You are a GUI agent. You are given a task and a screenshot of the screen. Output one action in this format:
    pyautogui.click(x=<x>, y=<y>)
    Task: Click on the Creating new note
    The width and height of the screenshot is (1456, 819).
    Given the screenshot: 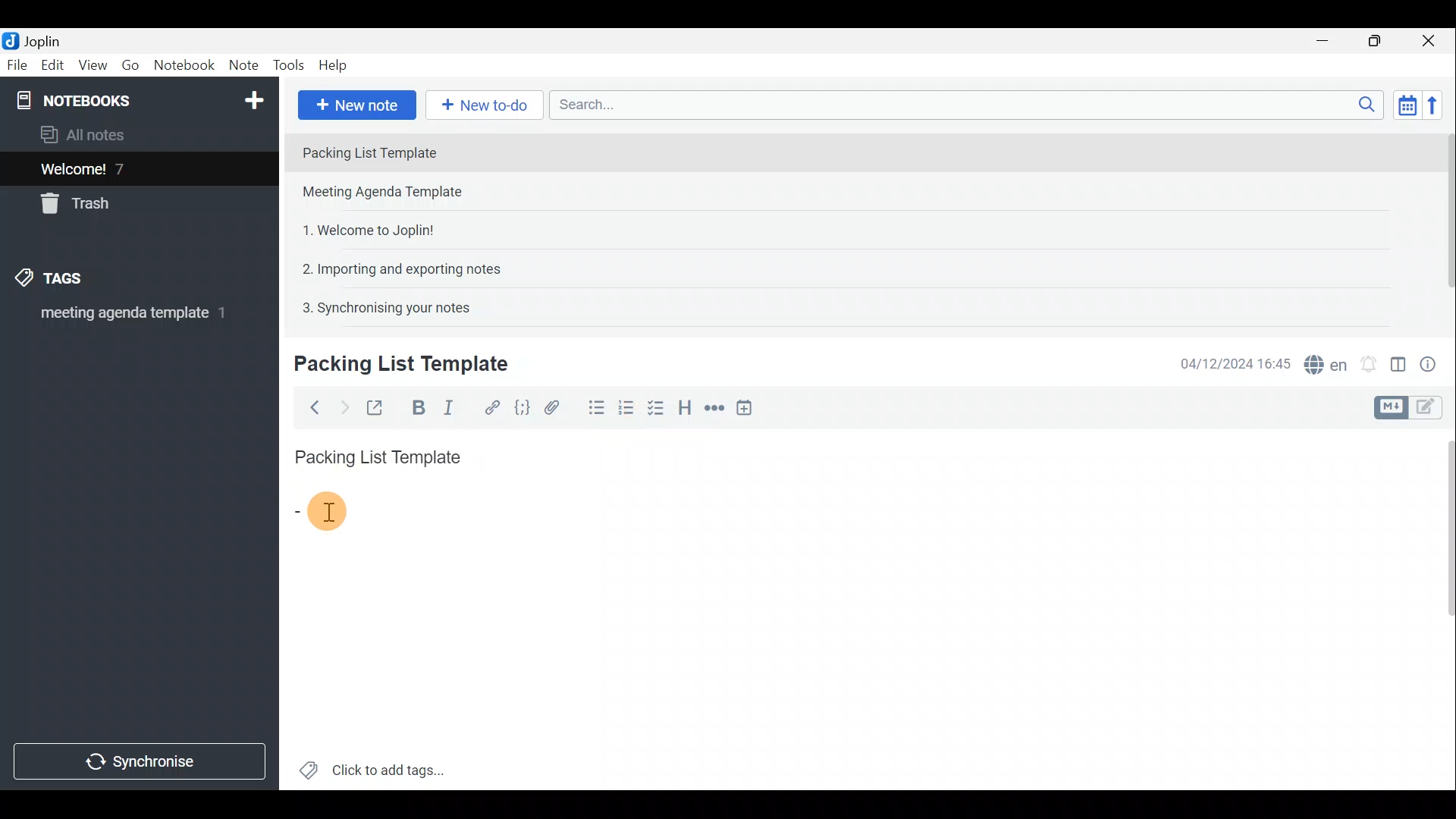 What is the action you would take?
    pyautogui.click(x=392, y=365)
    